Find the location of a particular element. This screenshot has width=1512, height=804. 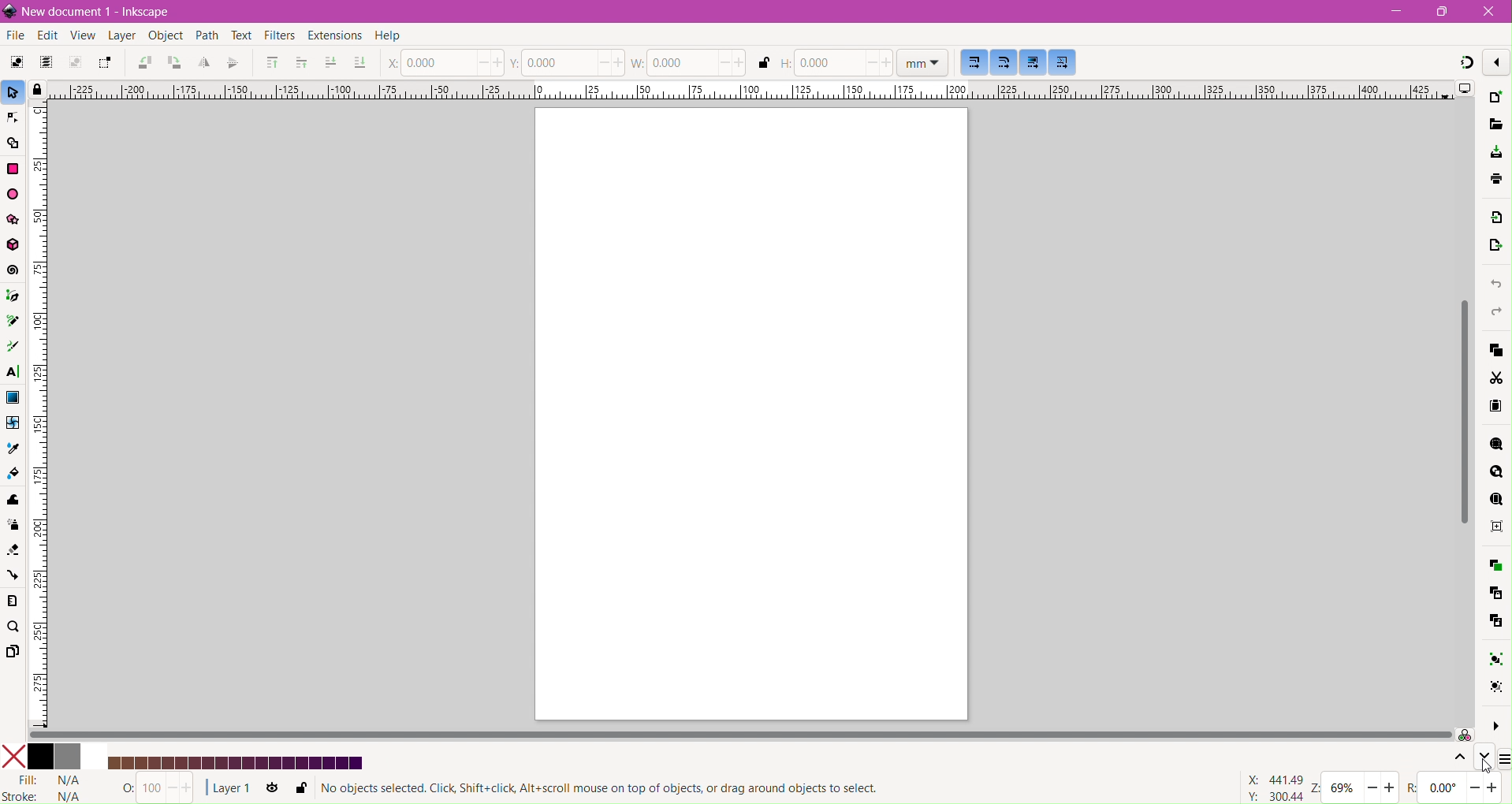

Object Flip Vertical is located at coordinates (233, 63).